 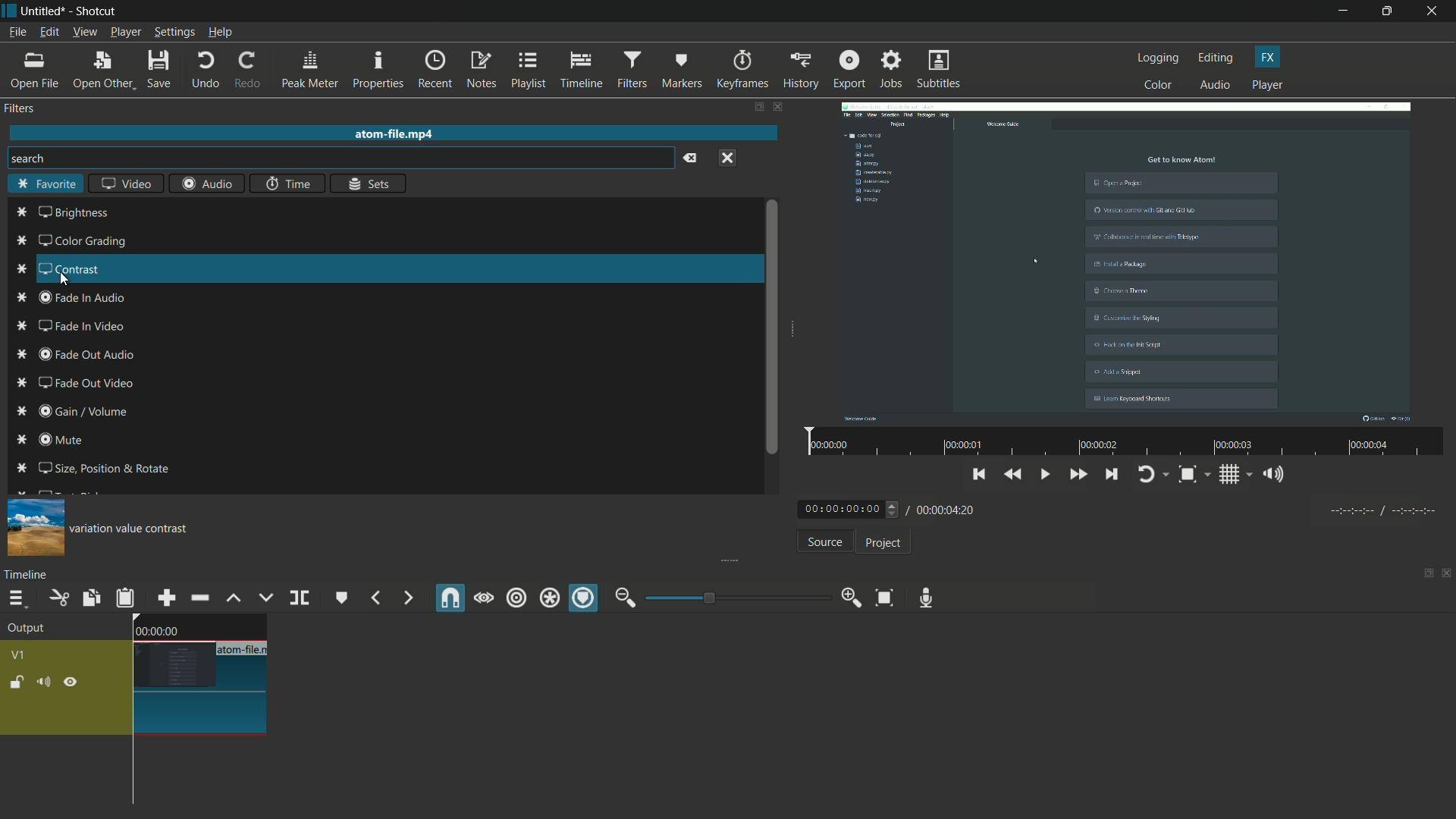 What do you see at coordinates (65, 281) in the screenshot?
I see `cursor` at bounding box center [65, 281].